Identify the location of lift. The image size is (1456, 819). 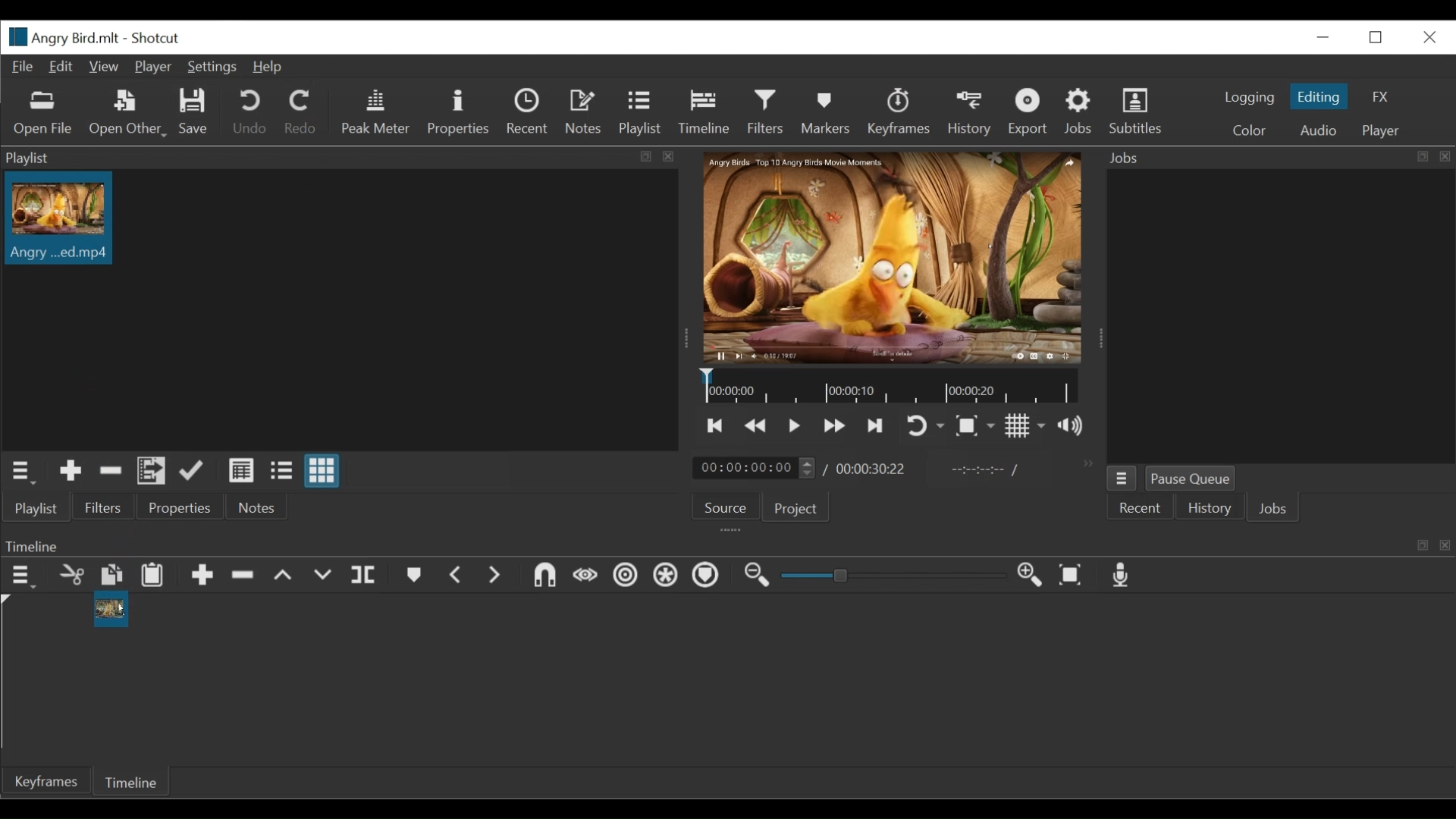
(283, 576).